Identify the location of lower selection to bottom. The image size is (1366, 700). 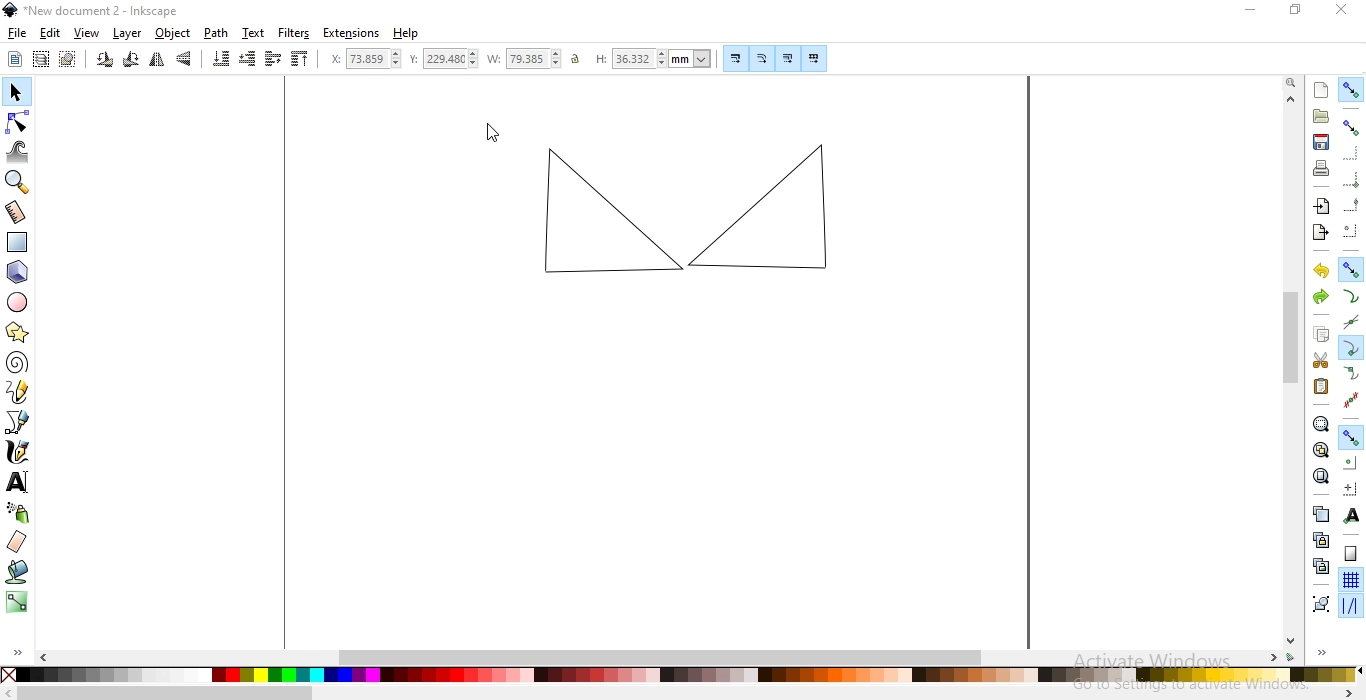
(222, 59).